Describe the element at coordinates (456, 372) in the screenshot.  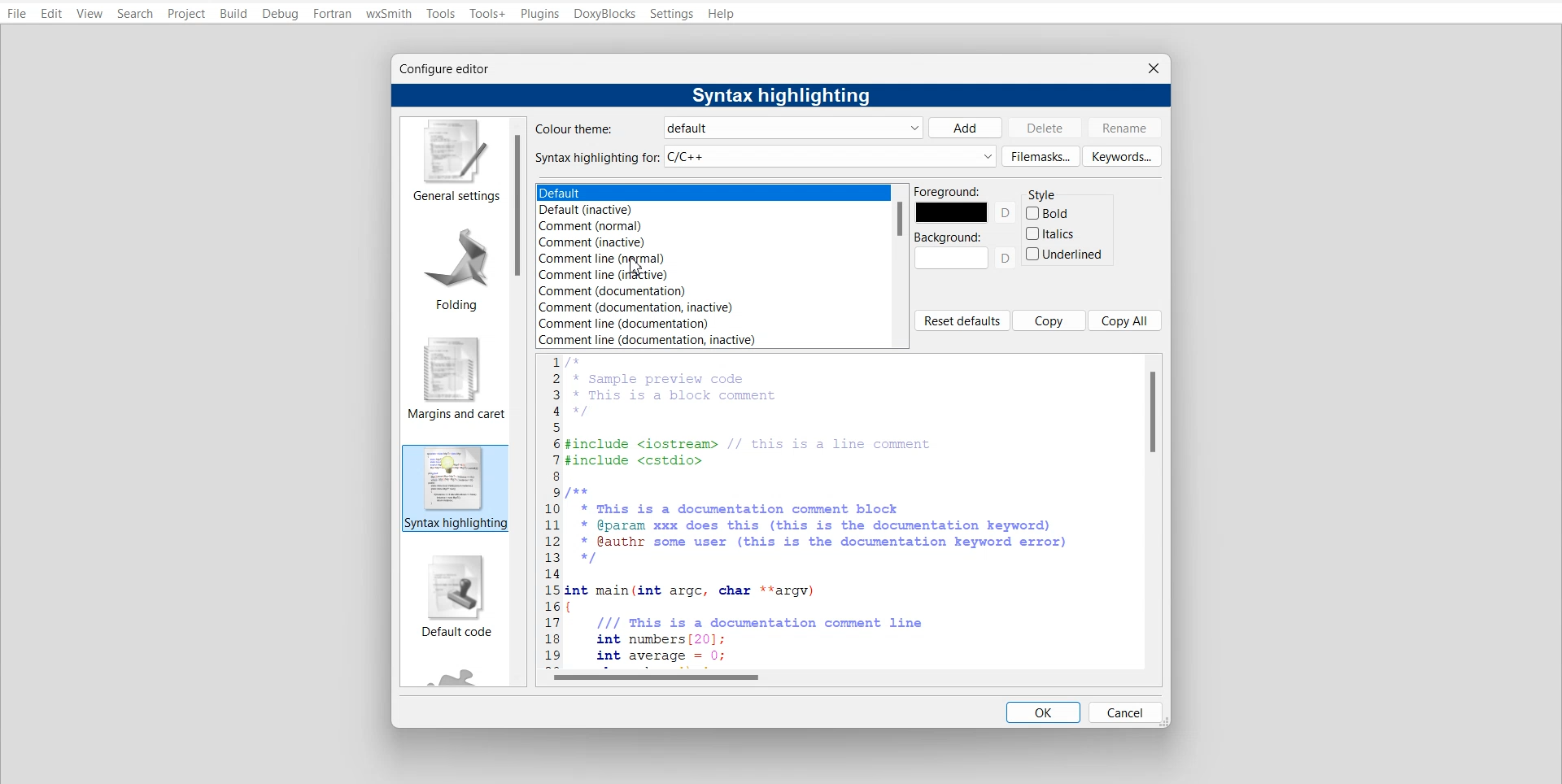
I see `Margin and caret` at that location.